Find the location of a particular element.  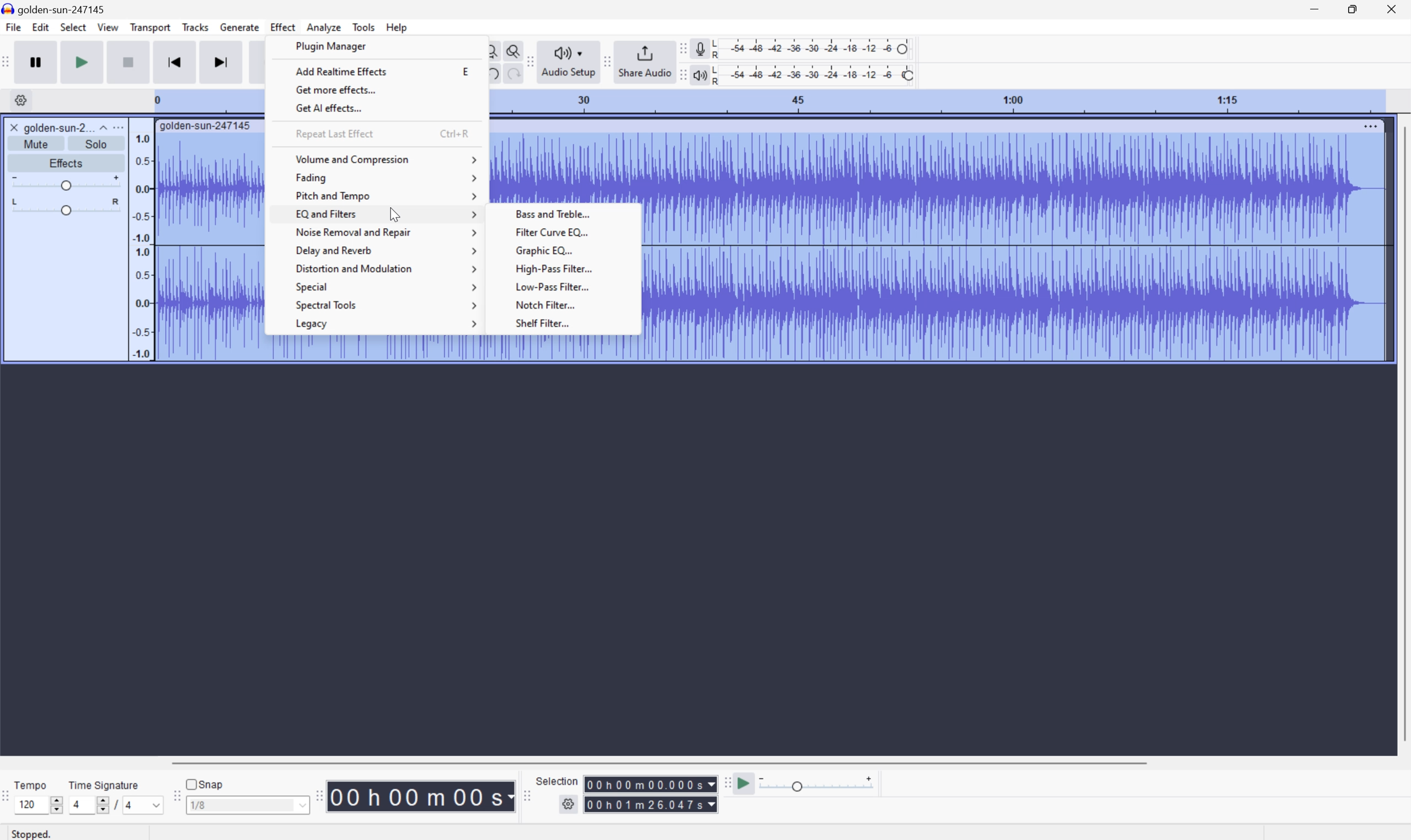

golden-sun-247145 is located at coordinates (207, 126).